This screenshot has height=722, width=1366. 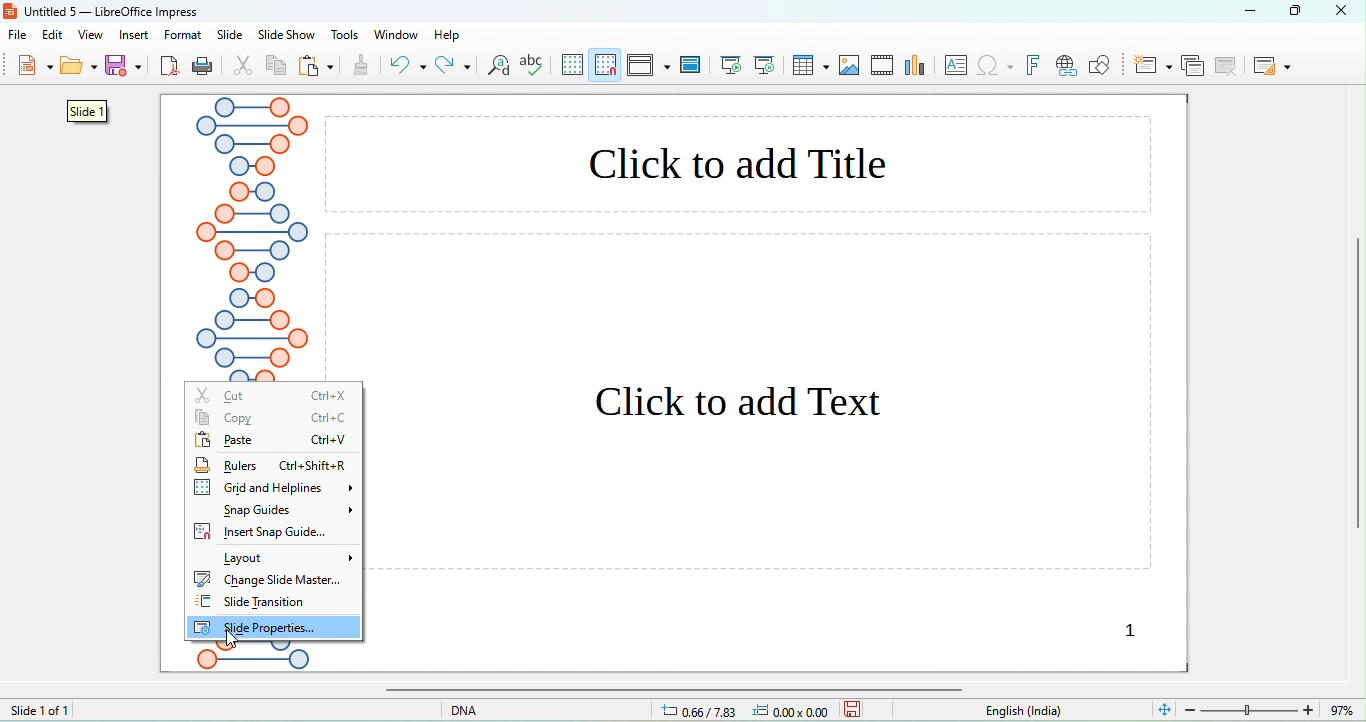 What do you see at coordinates (105, 11) in the screenshot?
I see `title` at bounding box center [105, 11].